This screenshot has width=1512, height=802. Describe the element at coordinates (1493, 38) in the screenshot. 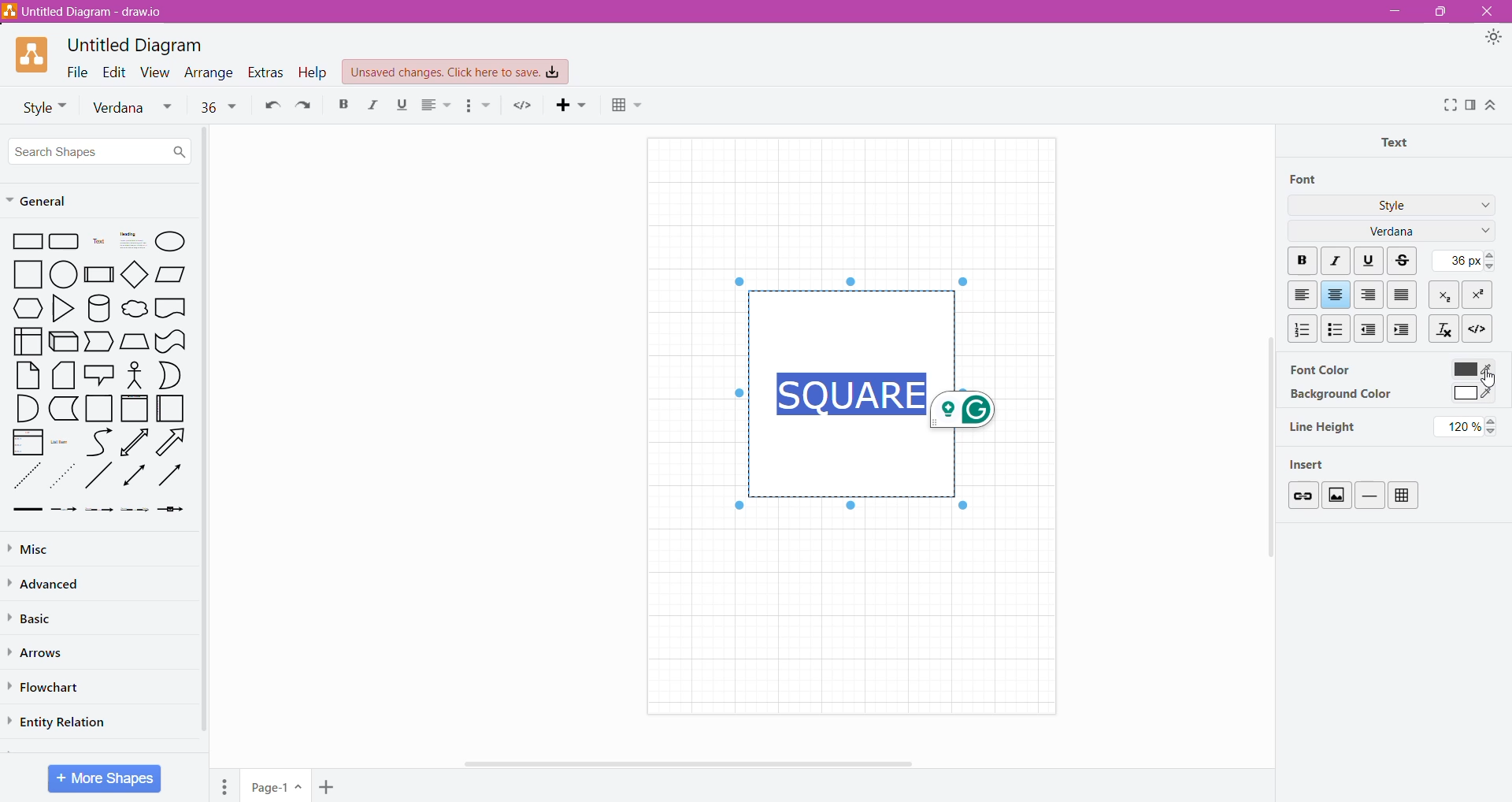

I see `Appearance` at that location.